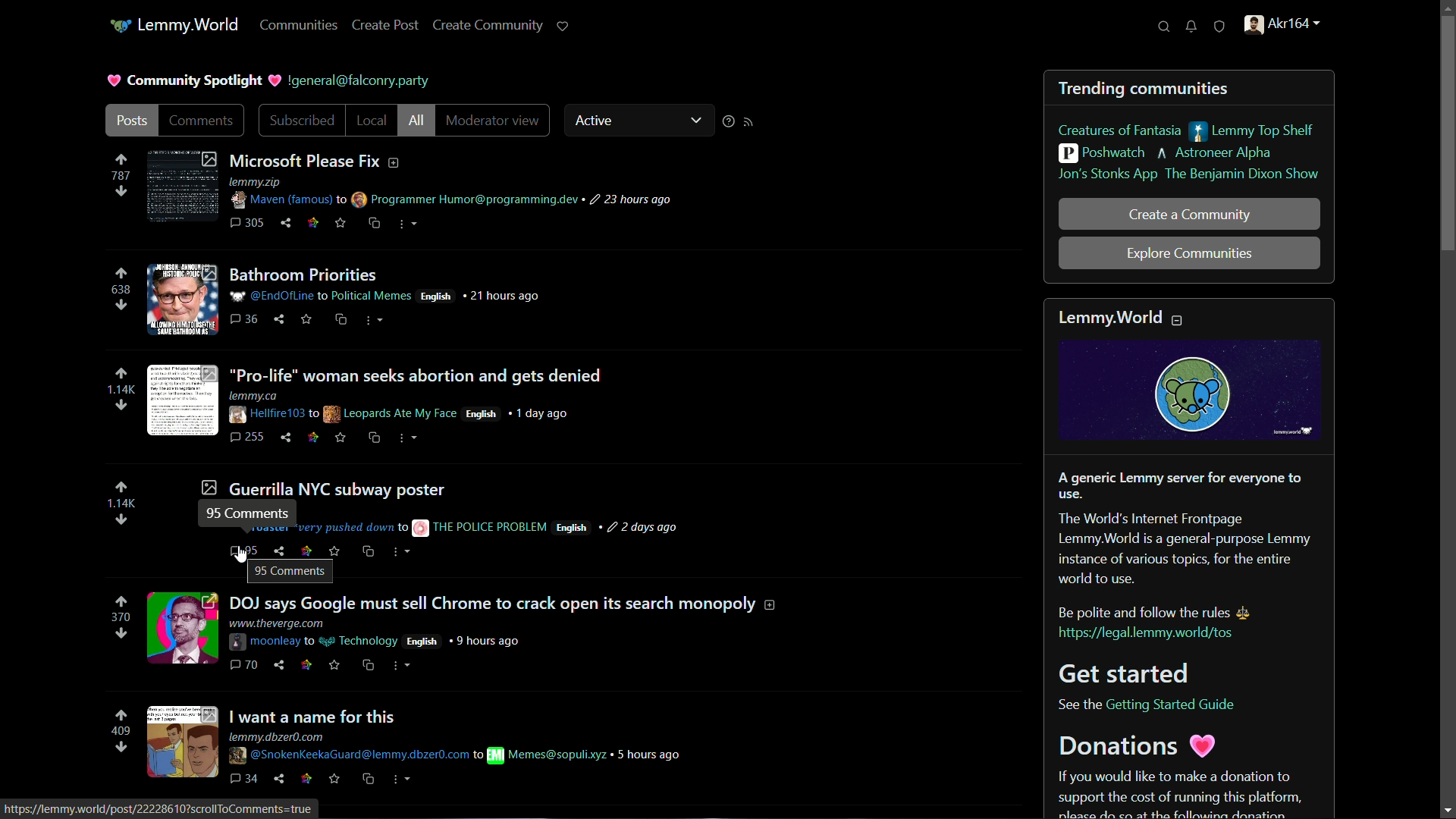 The image size is (1456, 819). Describe the element at coordinates (334, 549) in the screenshot. I see `save` at that location.